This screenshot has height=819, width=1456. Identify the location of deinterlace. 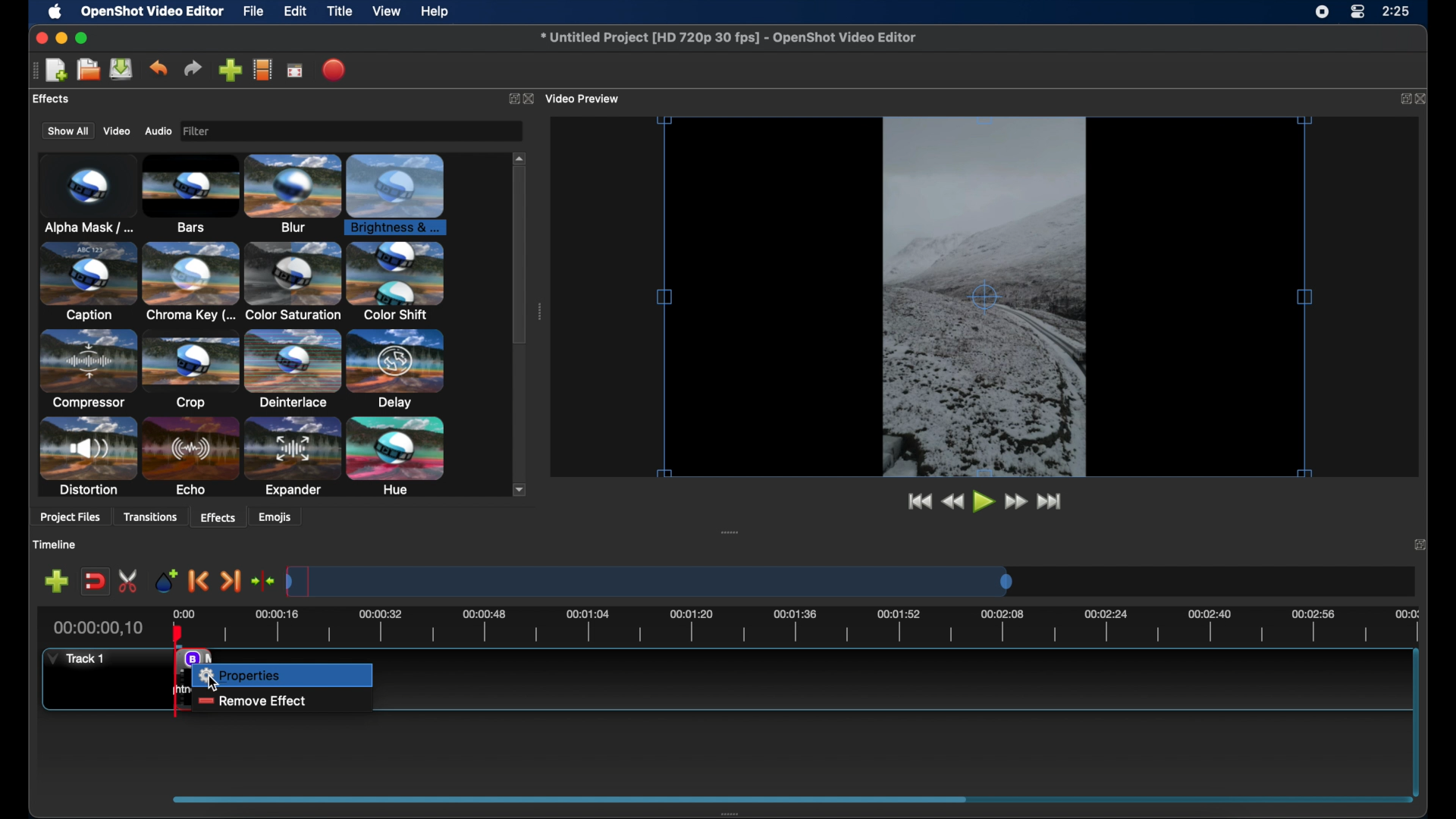
(293, 369).